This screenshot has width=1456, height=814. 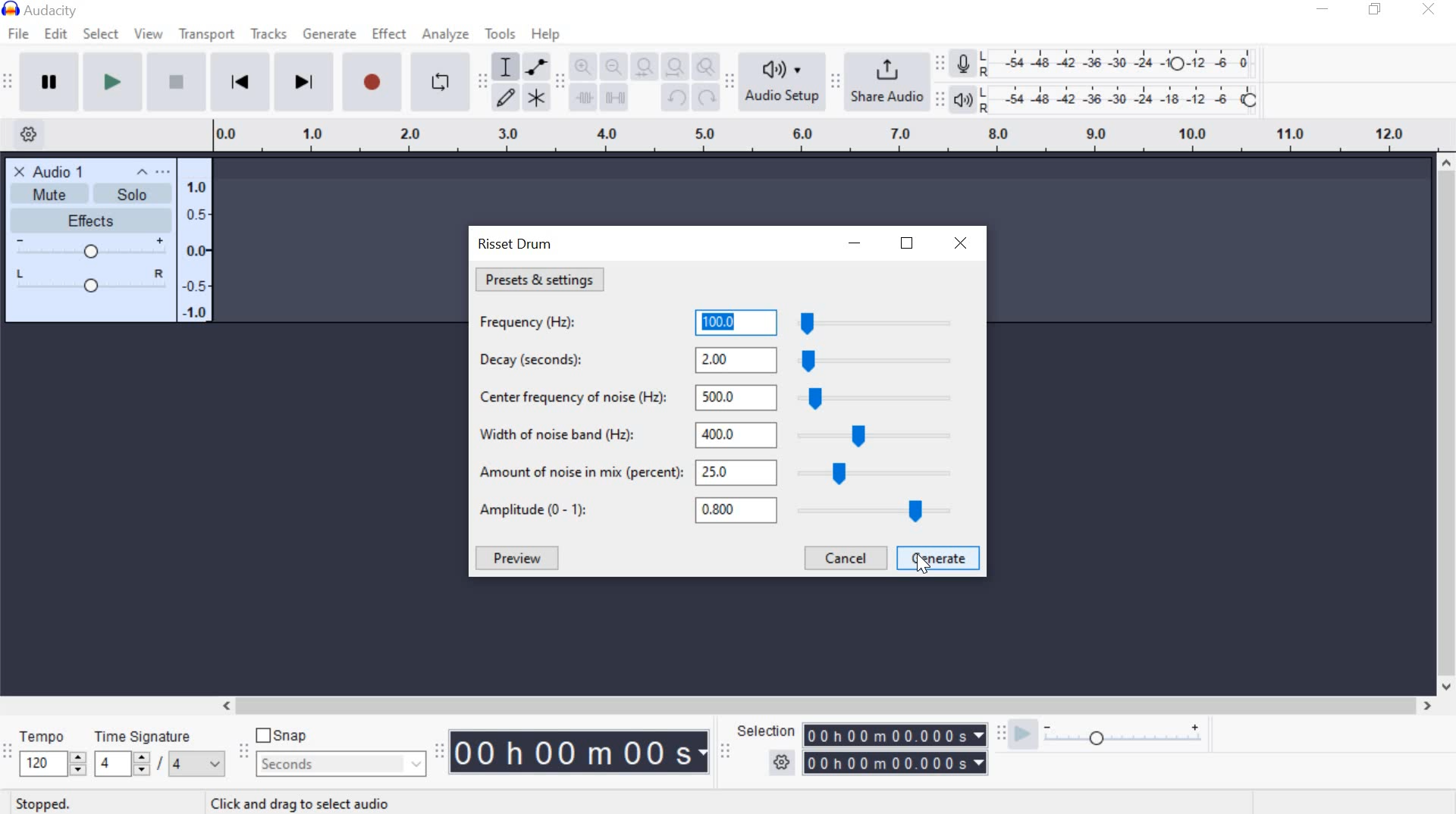 What do you see at coordinates (147, 35) in the screenshot?
I see `view` at bounding box center [147, 35].